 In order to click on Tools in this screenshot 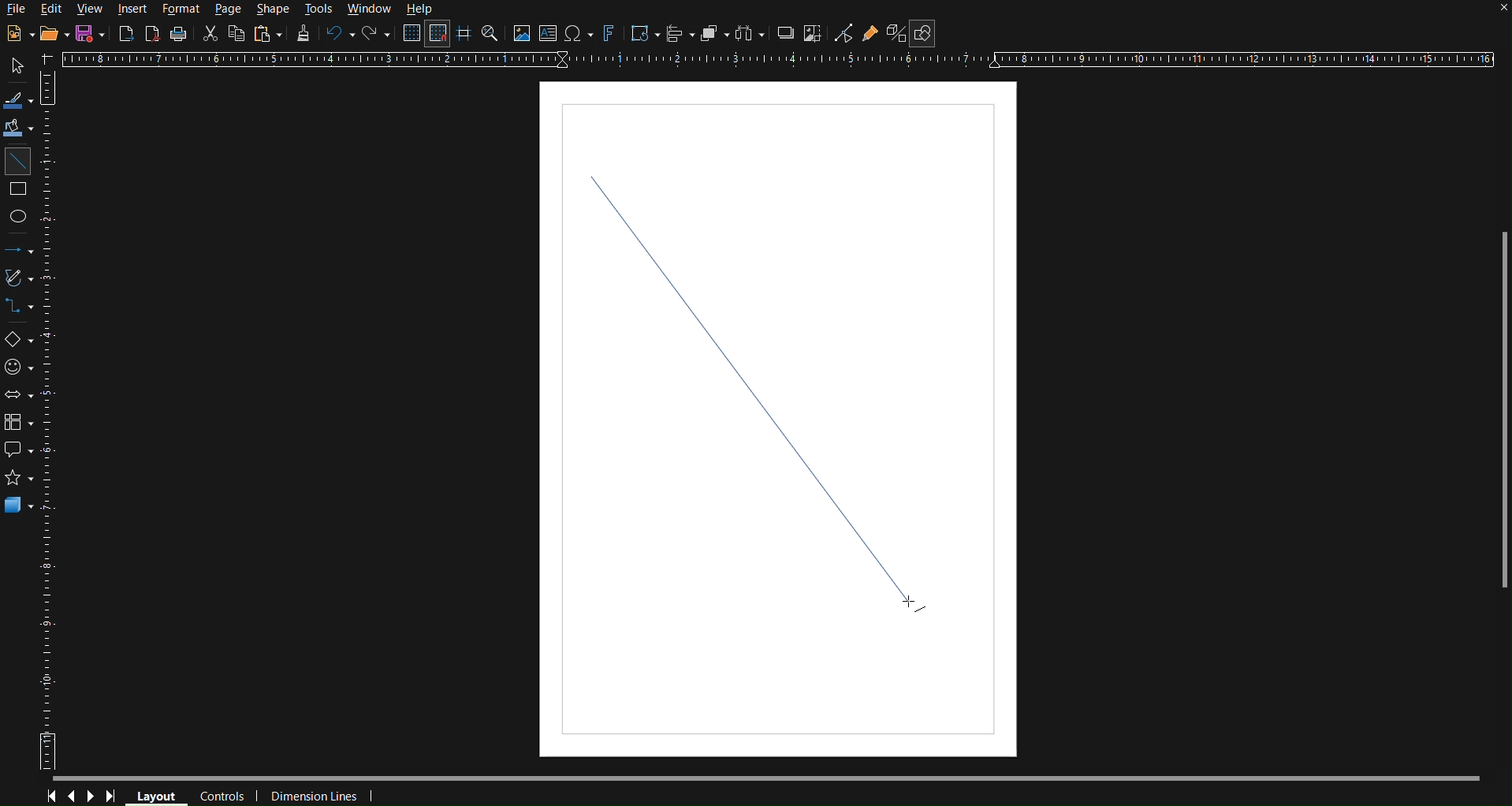, I will do `click(319, 10)`.